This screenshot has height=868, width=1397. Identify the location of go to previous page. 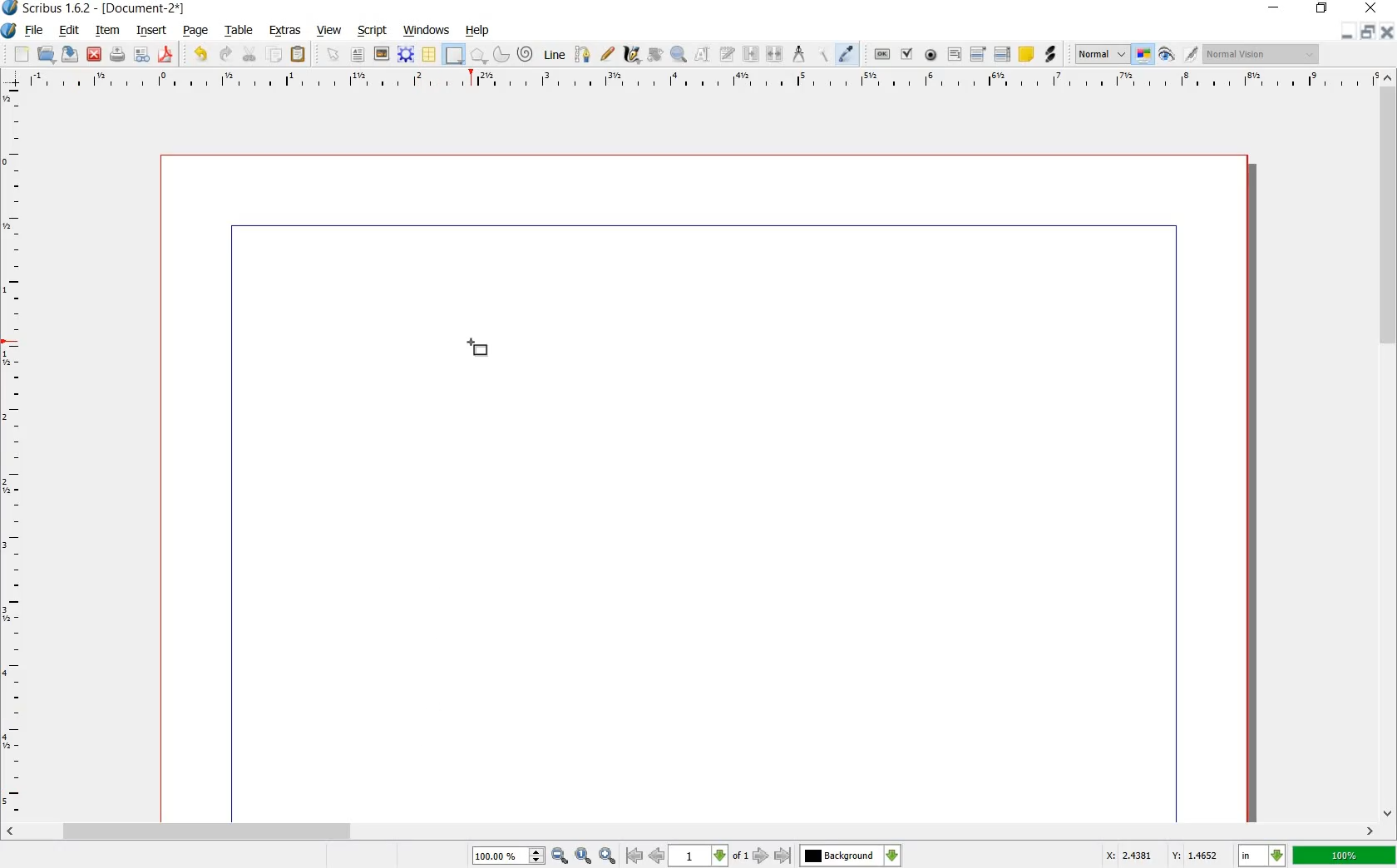
(656, 856).